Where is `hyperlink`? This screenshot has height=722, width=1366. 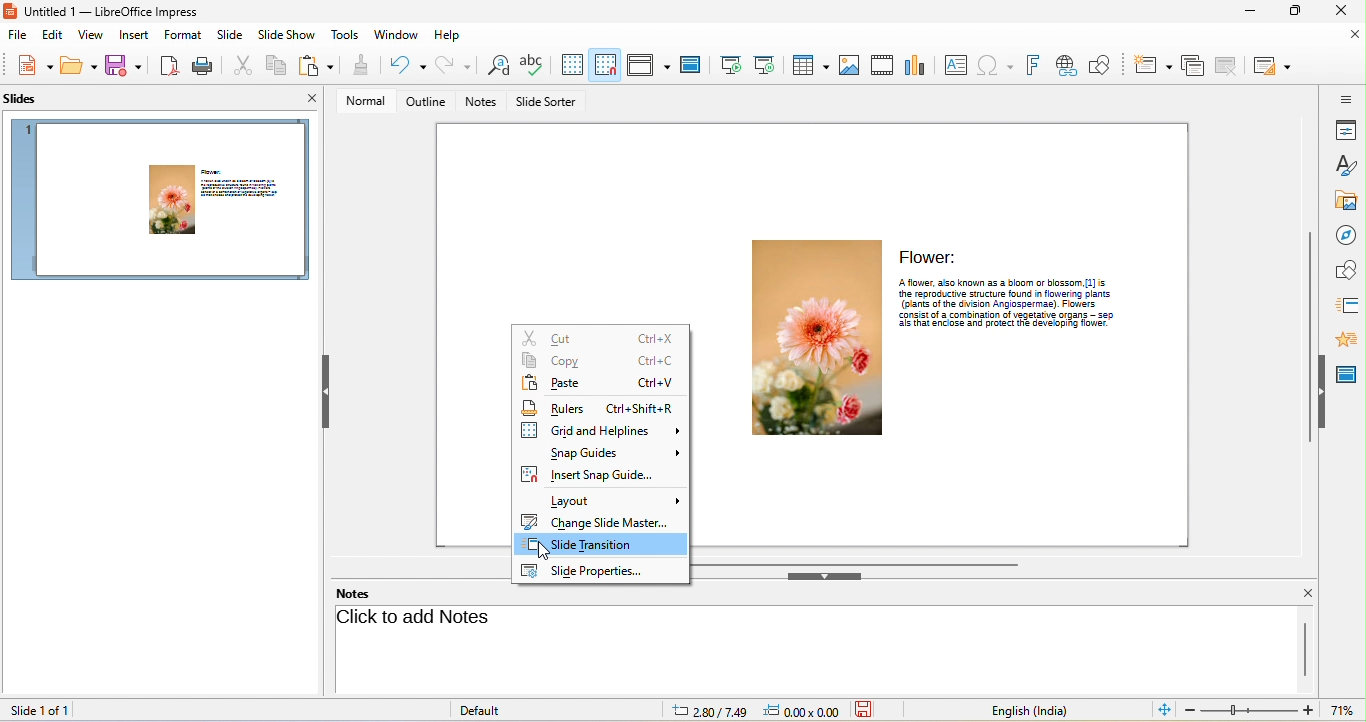
hyperlink is located at coordinates (1066, 65).